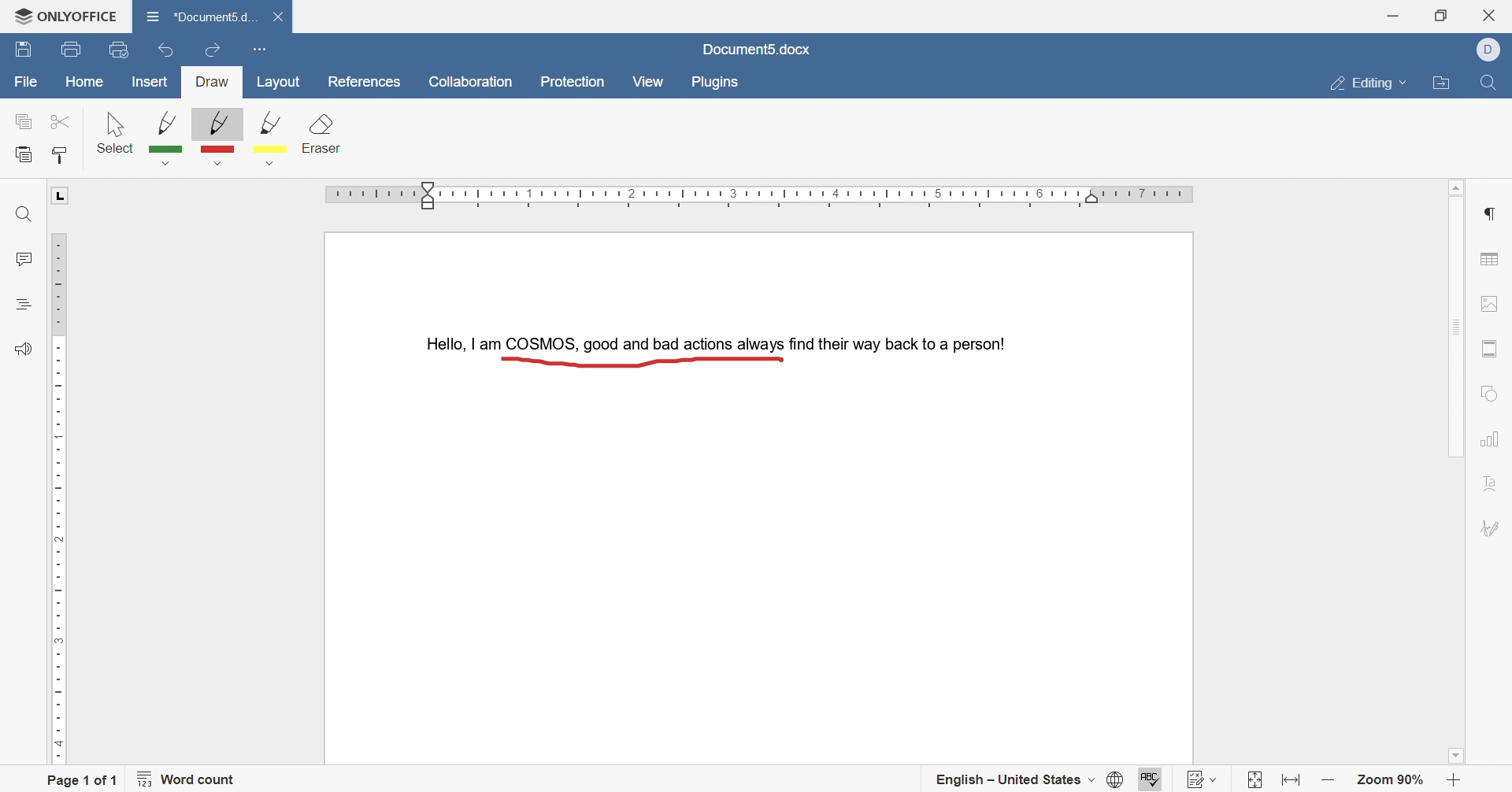 The image size is (1512, 792). I want to click on select, so click(116, 131).